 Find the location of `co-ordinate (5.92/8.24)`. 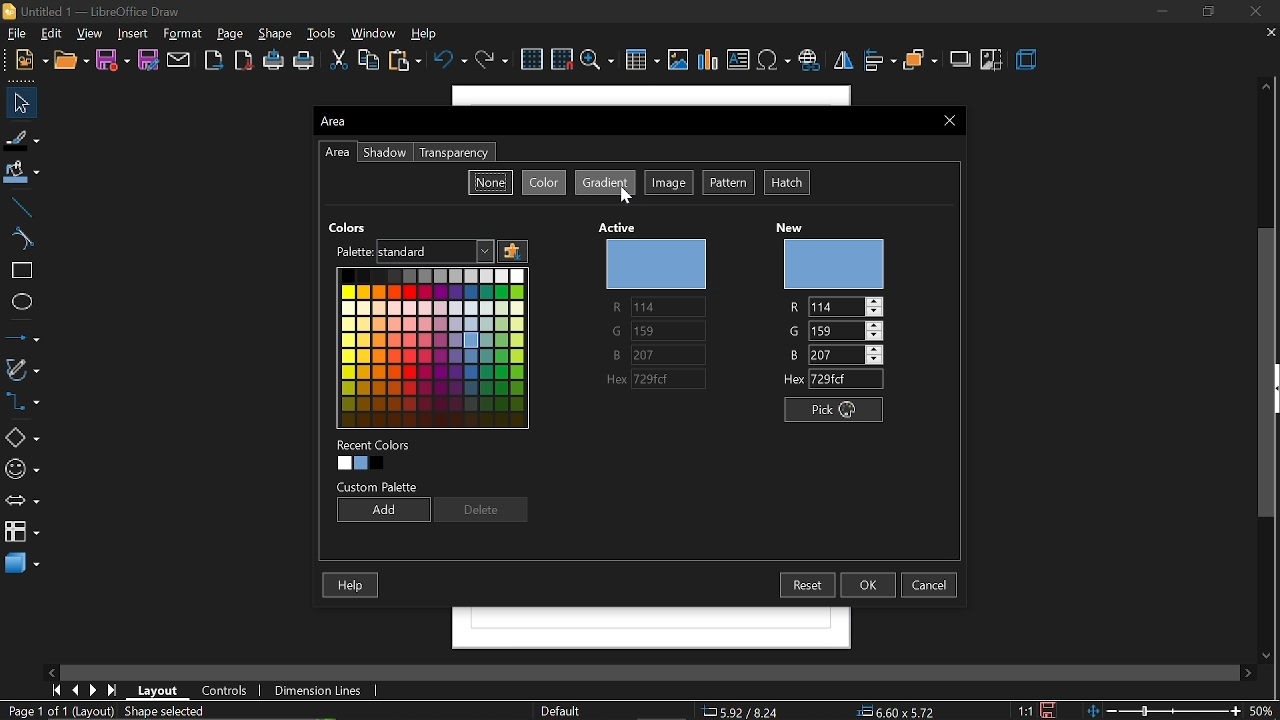

co-ordinate (5.92/8.24) is located at coordinates (748, 710).